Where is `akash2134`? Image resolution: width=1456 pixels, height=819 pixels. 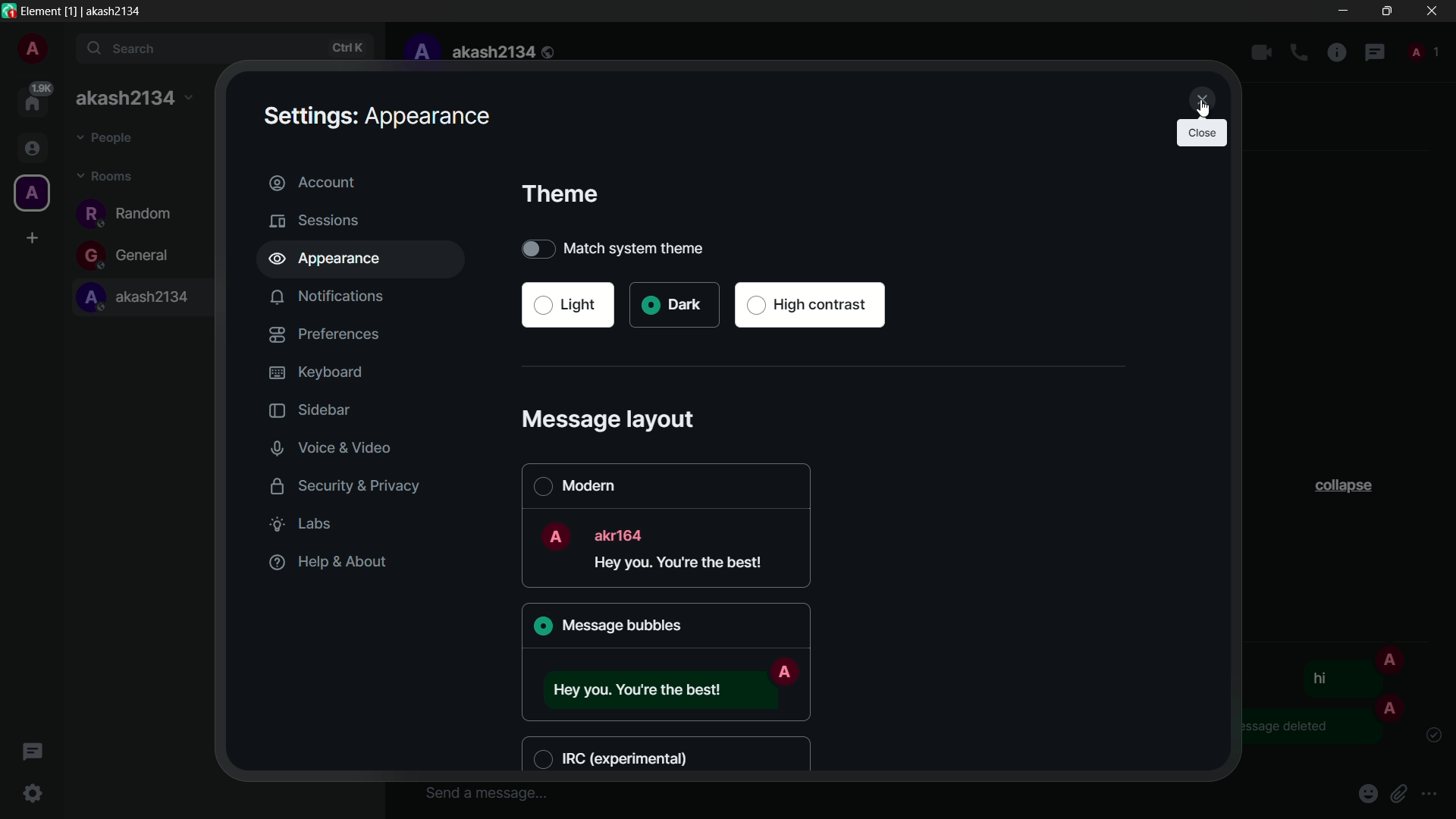 akash2134 is located at coordinates (133, 99).